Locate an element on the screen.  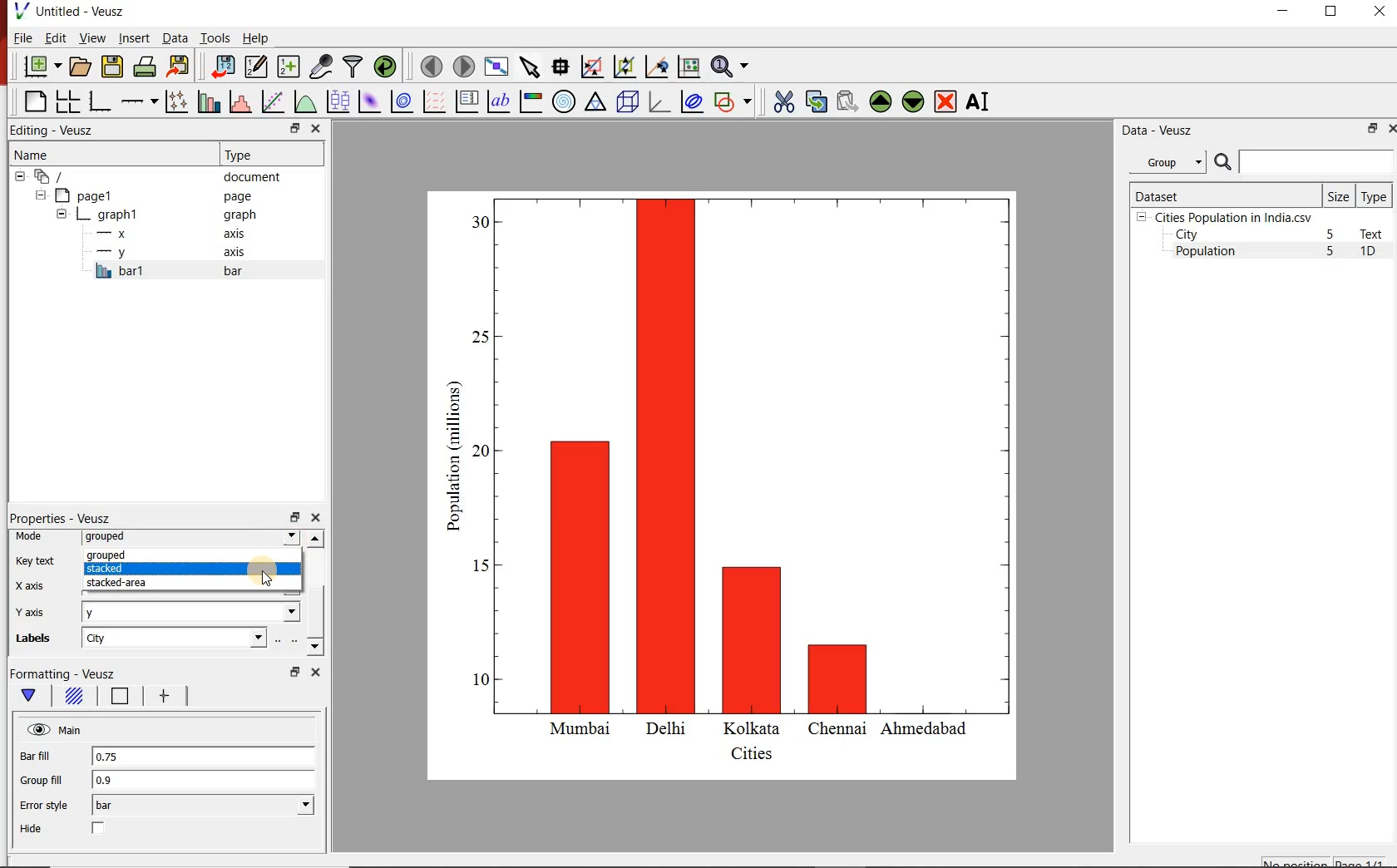
capture remote data is located at coordinates (319, 67).